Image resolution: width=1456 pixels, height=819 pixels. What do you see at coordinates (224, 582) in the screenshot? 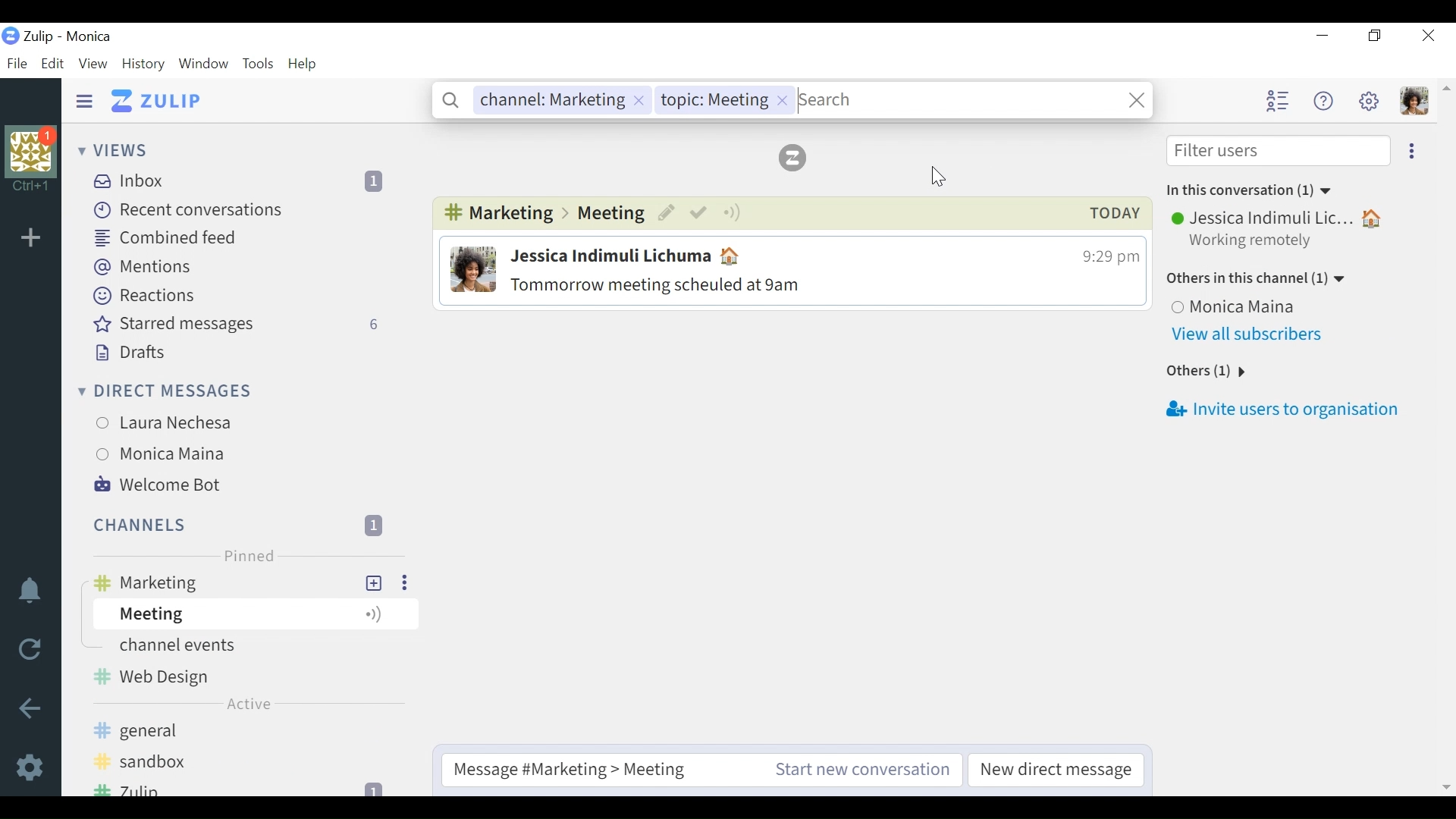
I see `Marketing` at bounding box center [224, 582].